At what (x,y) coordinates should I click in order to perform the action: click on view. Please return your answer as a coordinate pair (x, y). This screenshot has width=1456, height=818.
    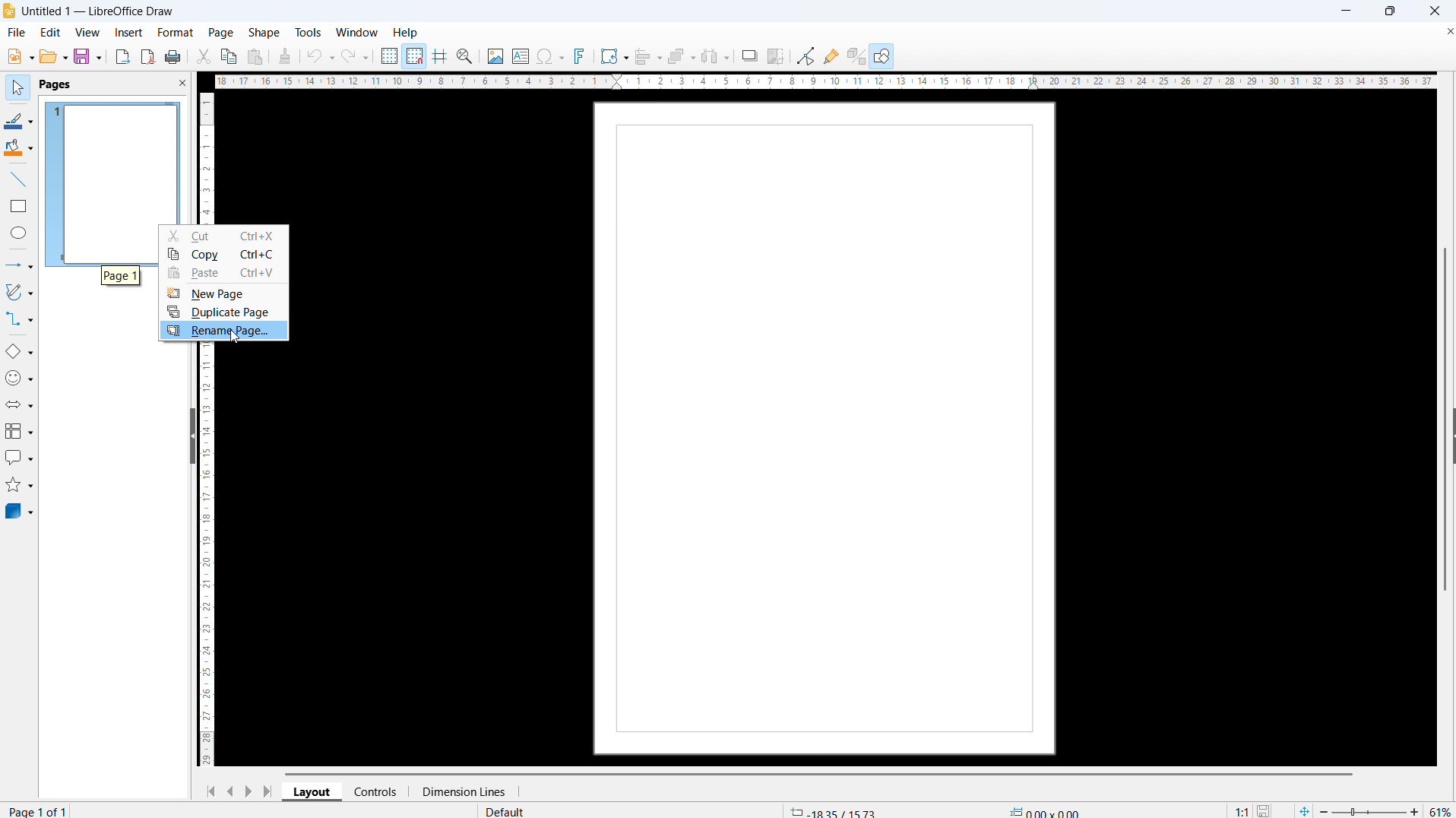
    Looking at the image, I should click on (87, 33).